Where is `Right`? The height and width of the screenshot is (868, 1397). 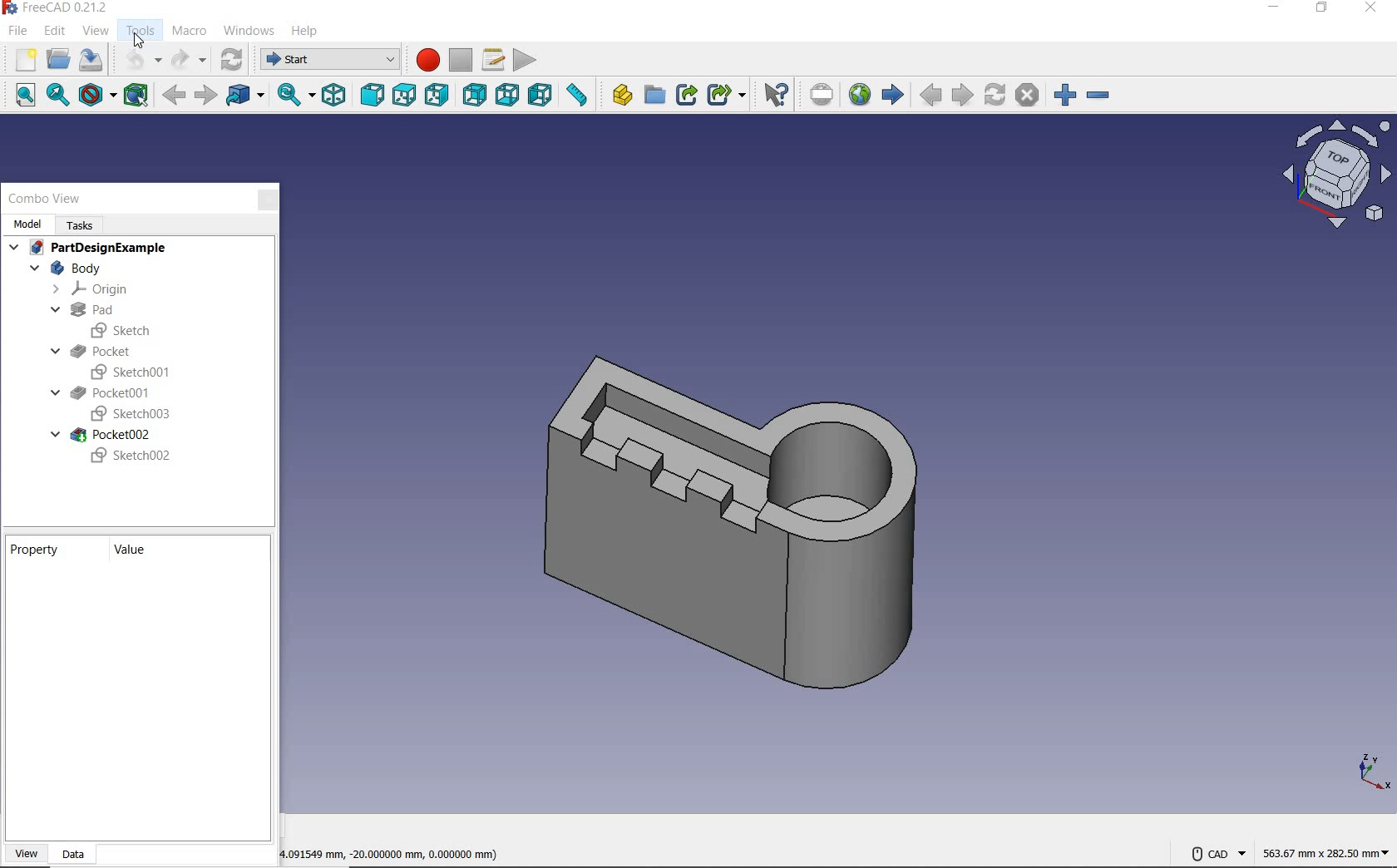 Right is located at coordinates (438, 96).